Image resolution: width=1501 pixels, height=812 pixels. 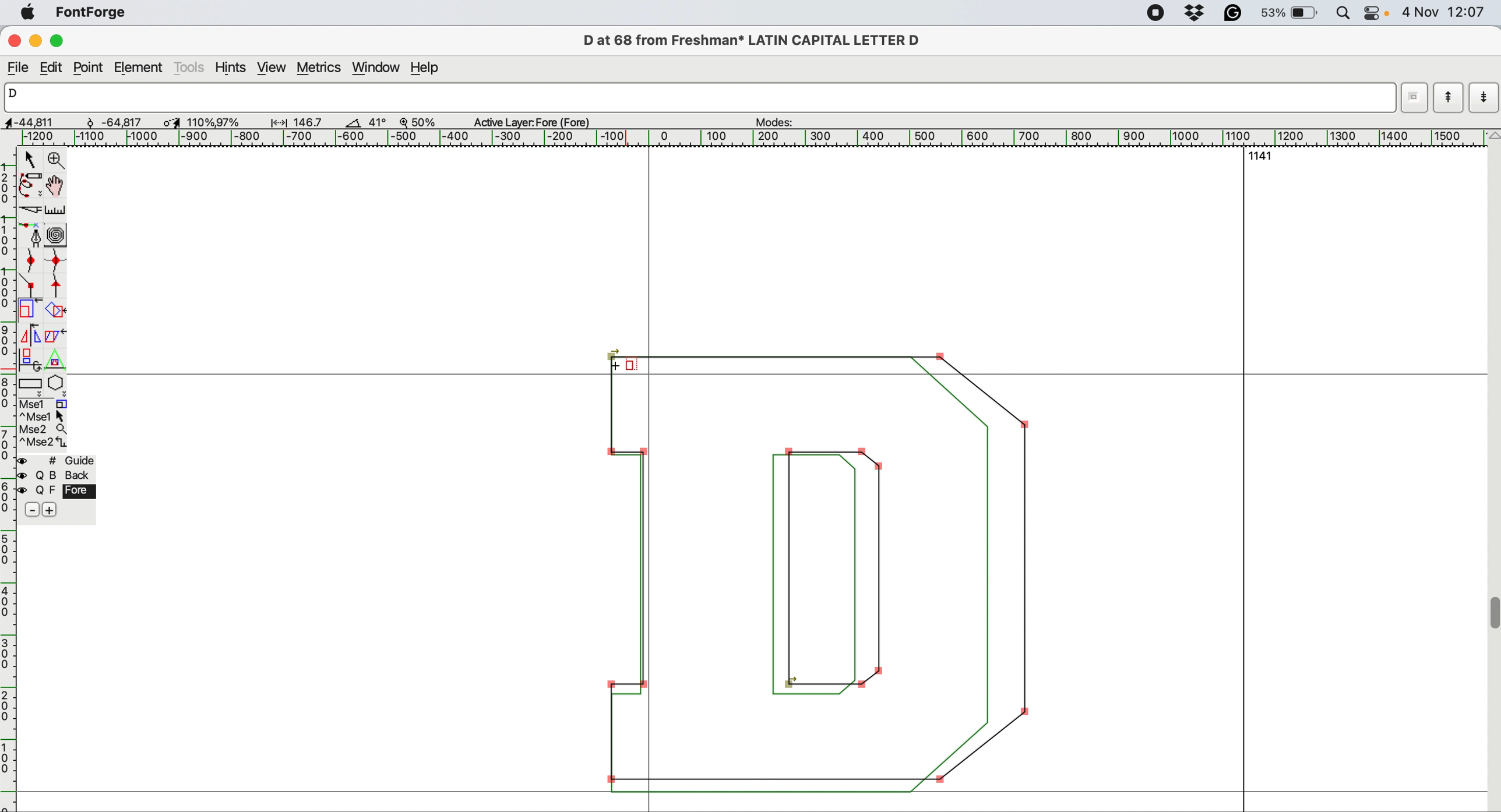 What do you see at coordinates (629, 372) in the screenshot?
I see `cursor` at bounding box center [629, 372].